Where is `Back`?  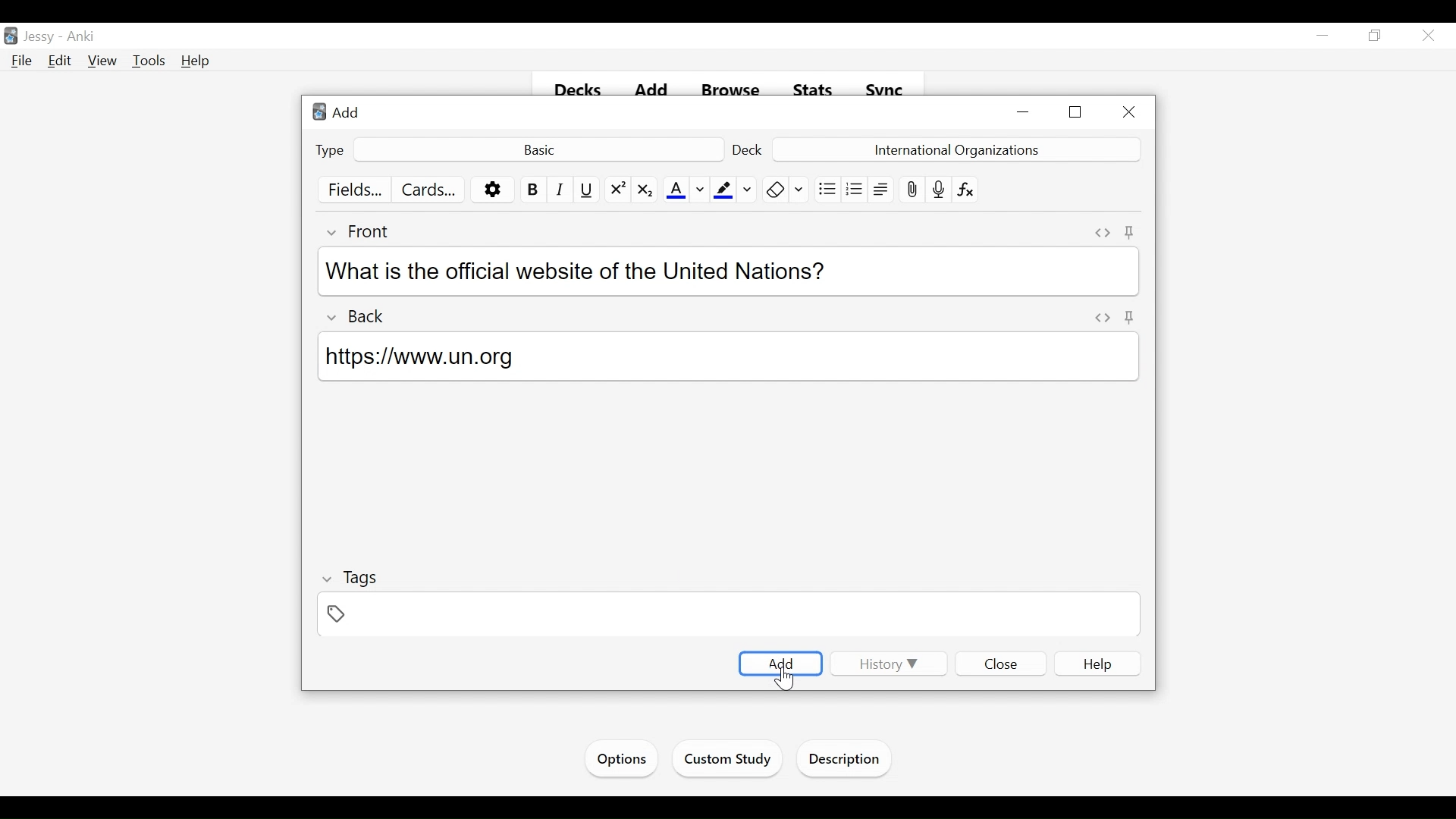
Back is located at coordinates (356, 317).